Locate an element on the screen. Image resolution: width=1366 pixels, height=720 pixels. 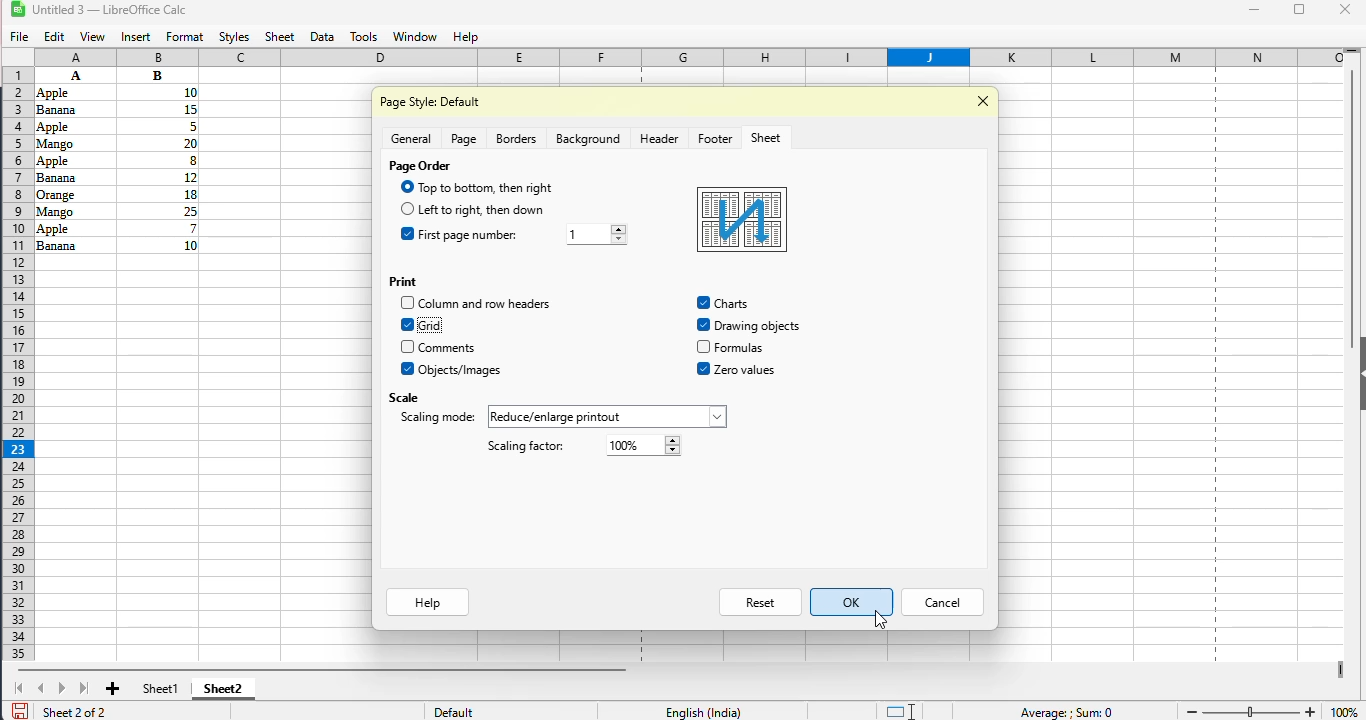
 is located at coordinates (71, 110).